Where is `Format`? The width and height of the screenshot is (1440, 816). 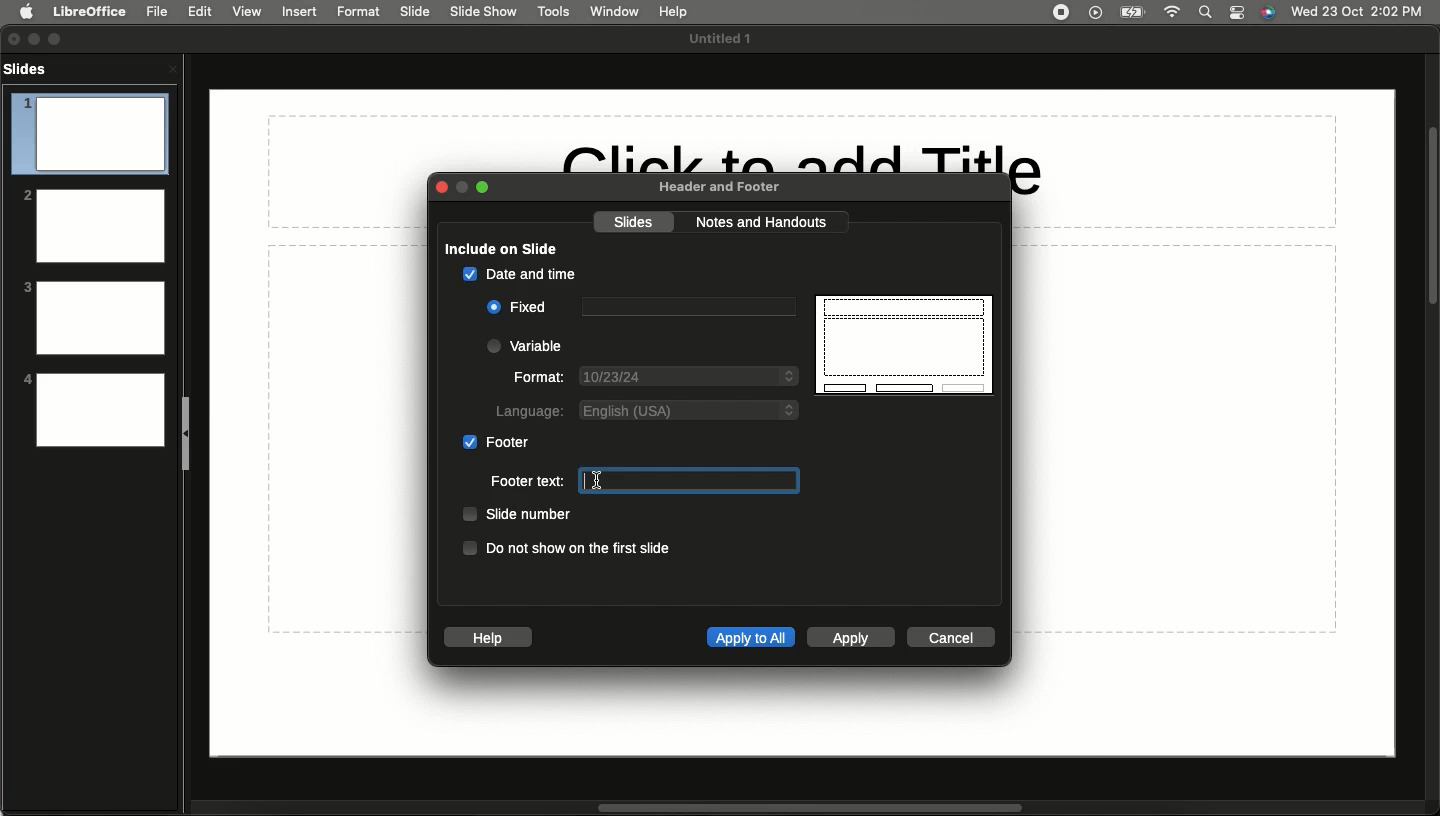 Format is located at coordinates (359, 11).